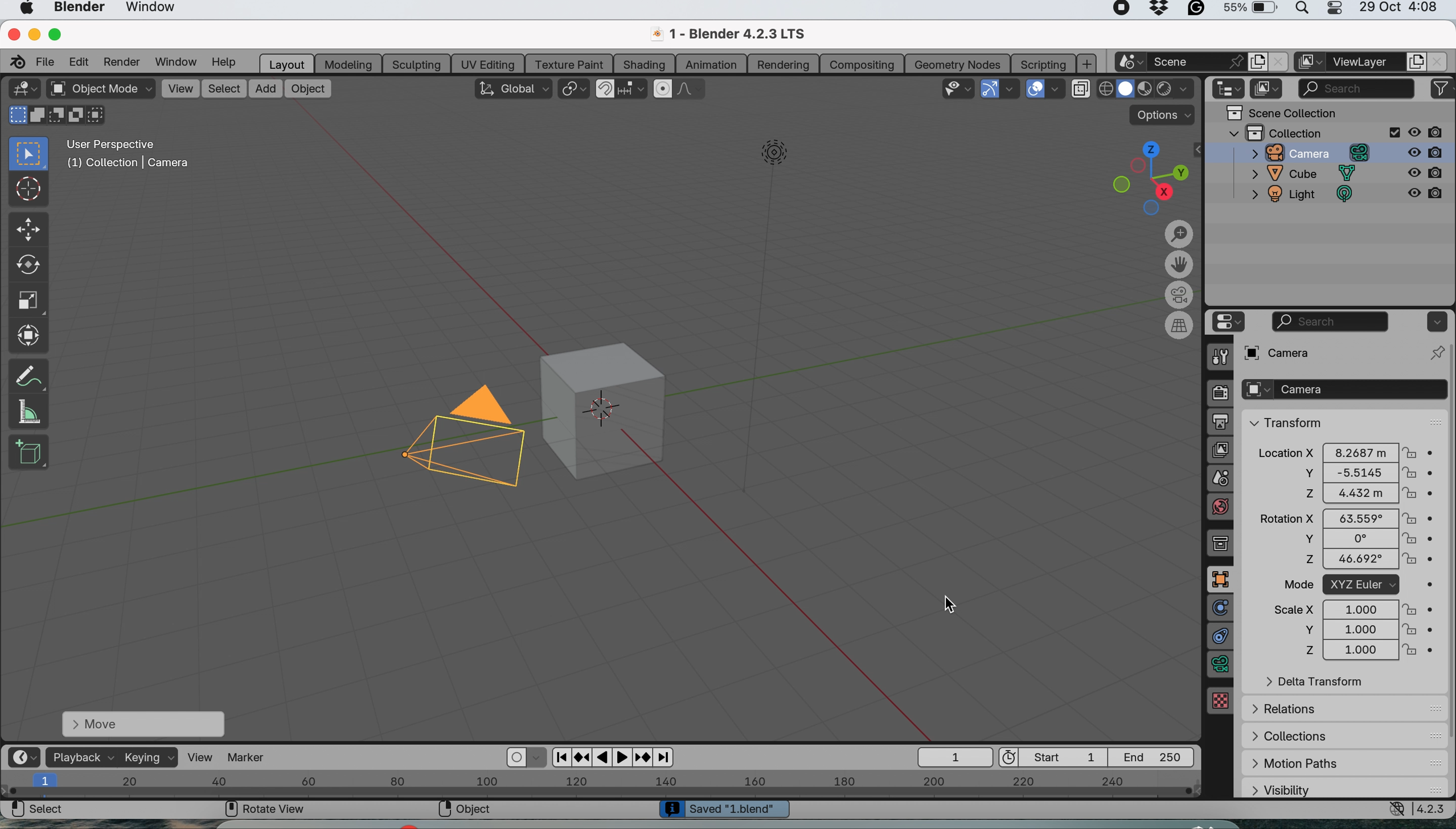 This screenshot has height=829, width=1456. Describe the element at coordinates (1304, 196) in the screenshot. I see `light` at that location.